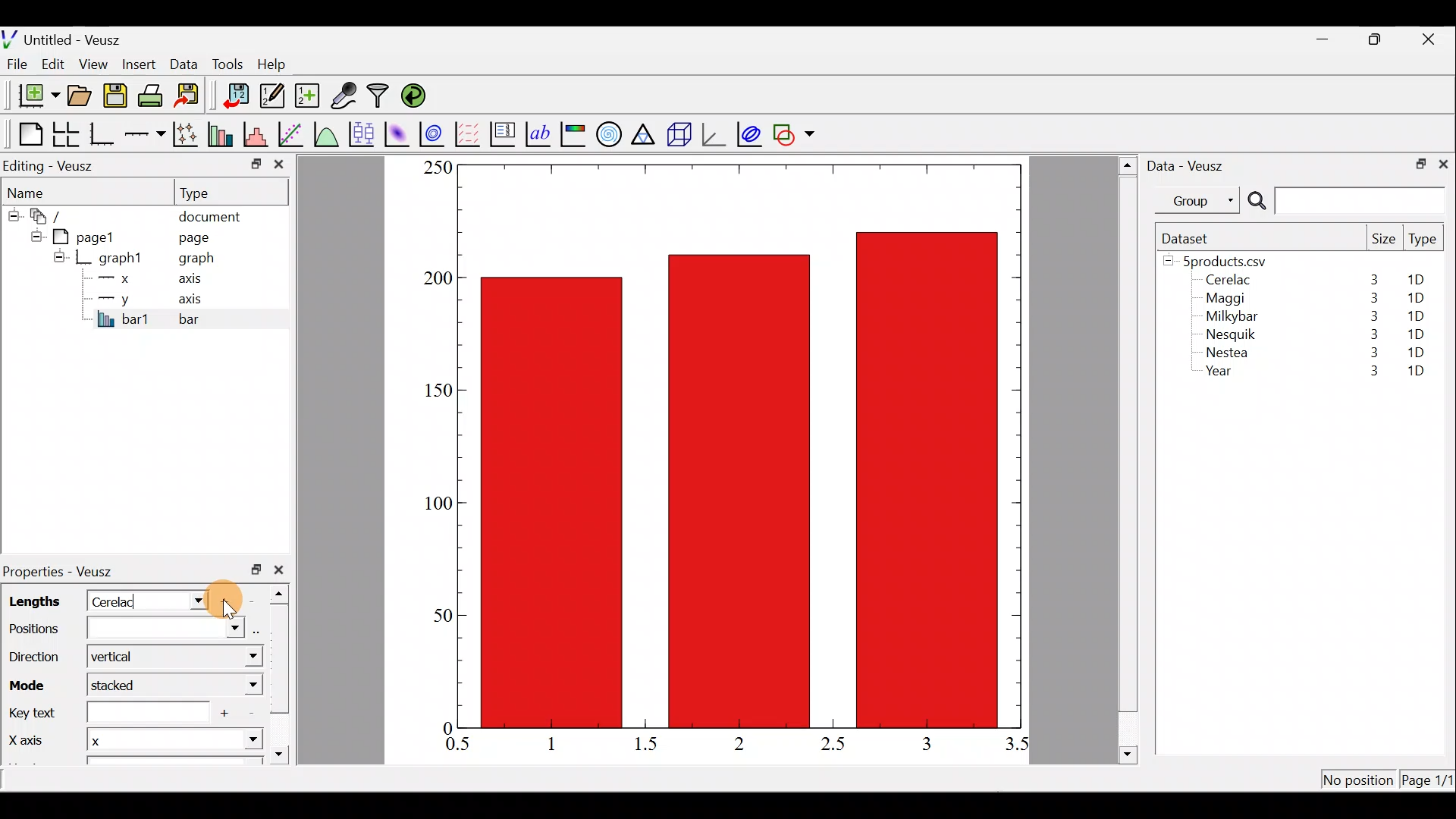  What do you see at coordinates (1359, 781) in the screenshot?
I see `No position` at bounding box center [1359, 781].